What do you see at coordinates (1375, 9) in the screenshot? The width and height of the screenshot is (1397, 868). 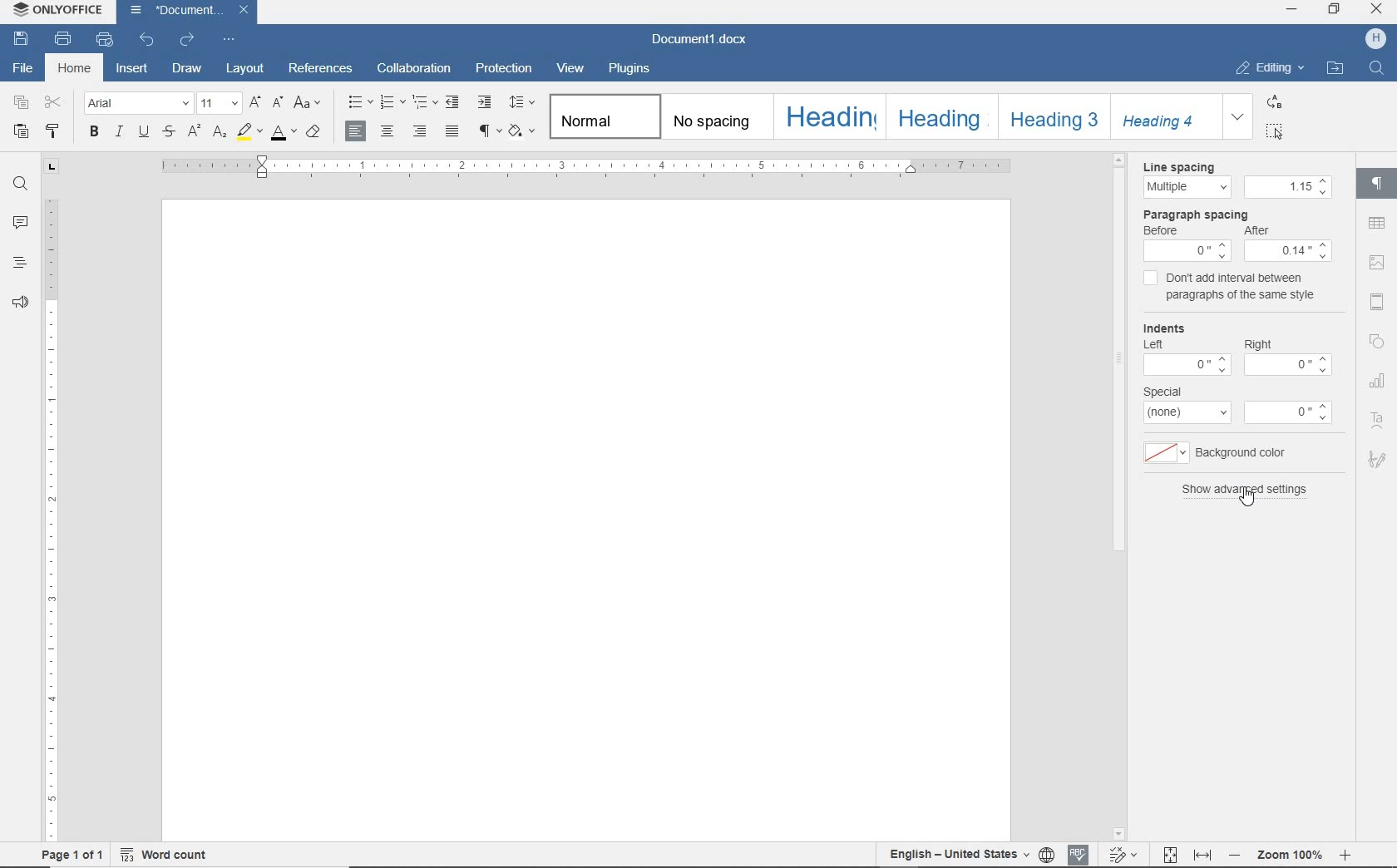 I see `CLOSE` at bounding box center [1375, 9].